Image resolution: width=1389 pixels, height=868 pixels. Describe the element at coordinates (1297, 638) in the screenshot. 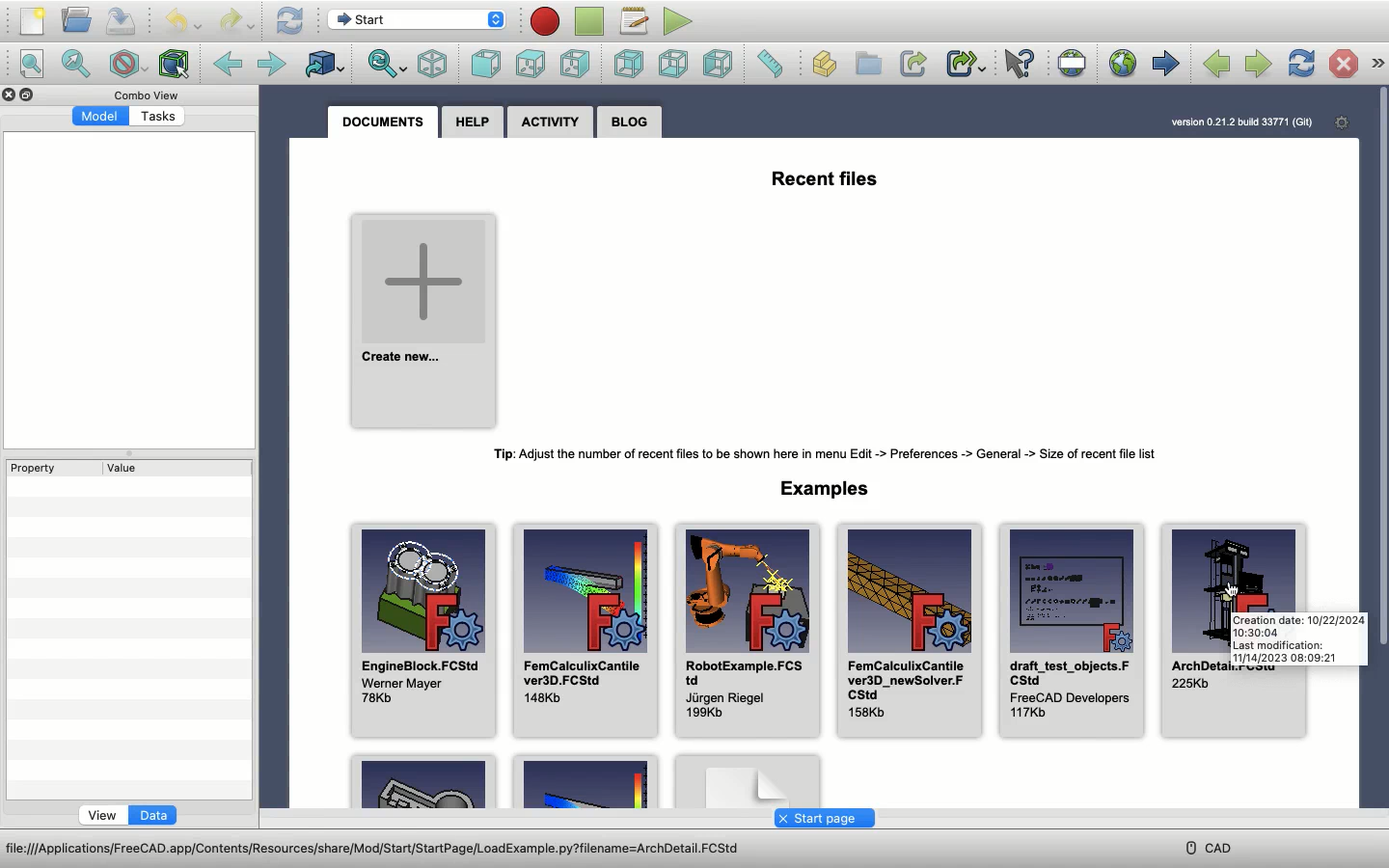

I see `Guide text` at that location.